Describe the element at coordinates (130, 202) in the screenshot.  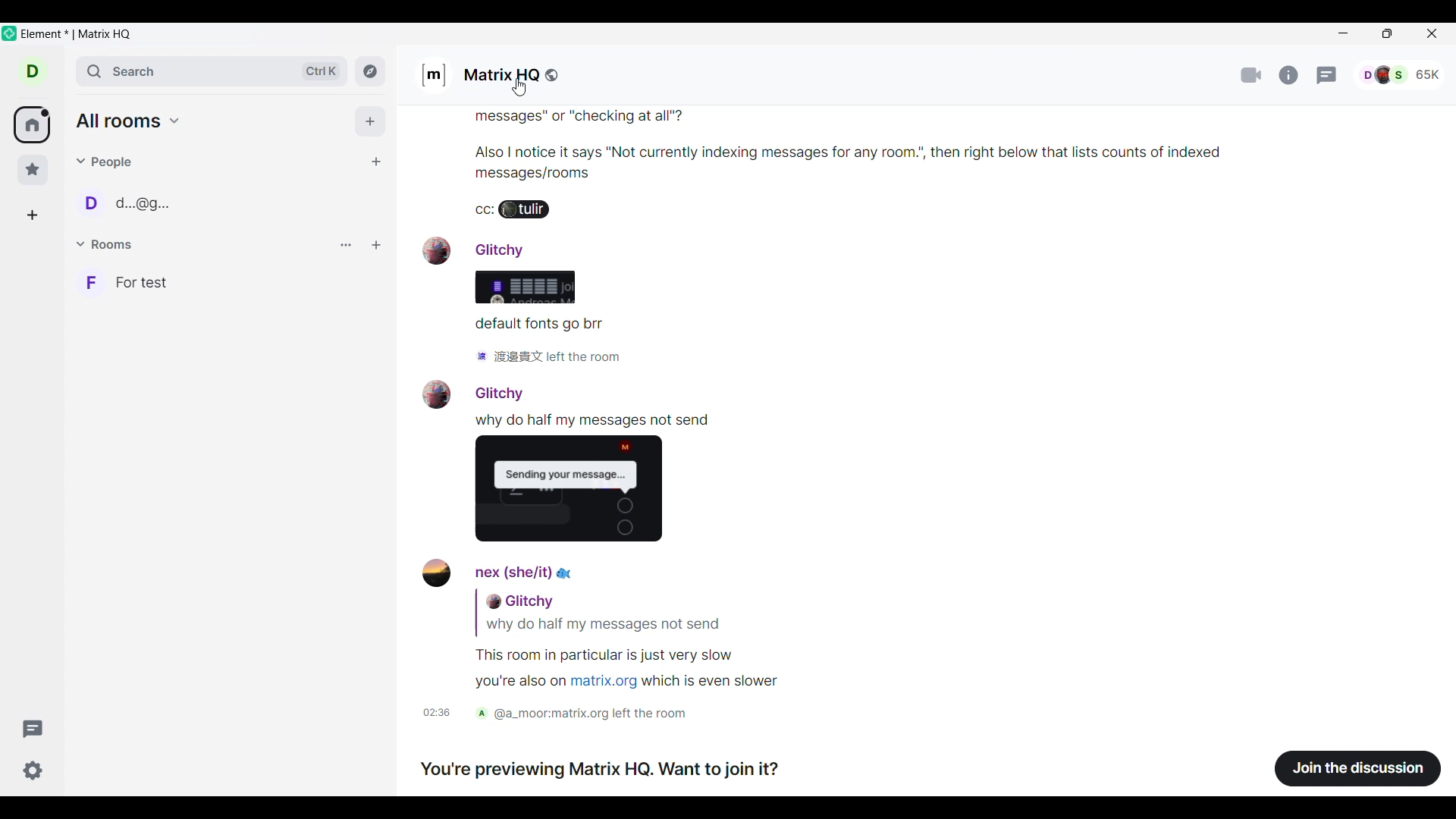
I see `Account under people` at that location.